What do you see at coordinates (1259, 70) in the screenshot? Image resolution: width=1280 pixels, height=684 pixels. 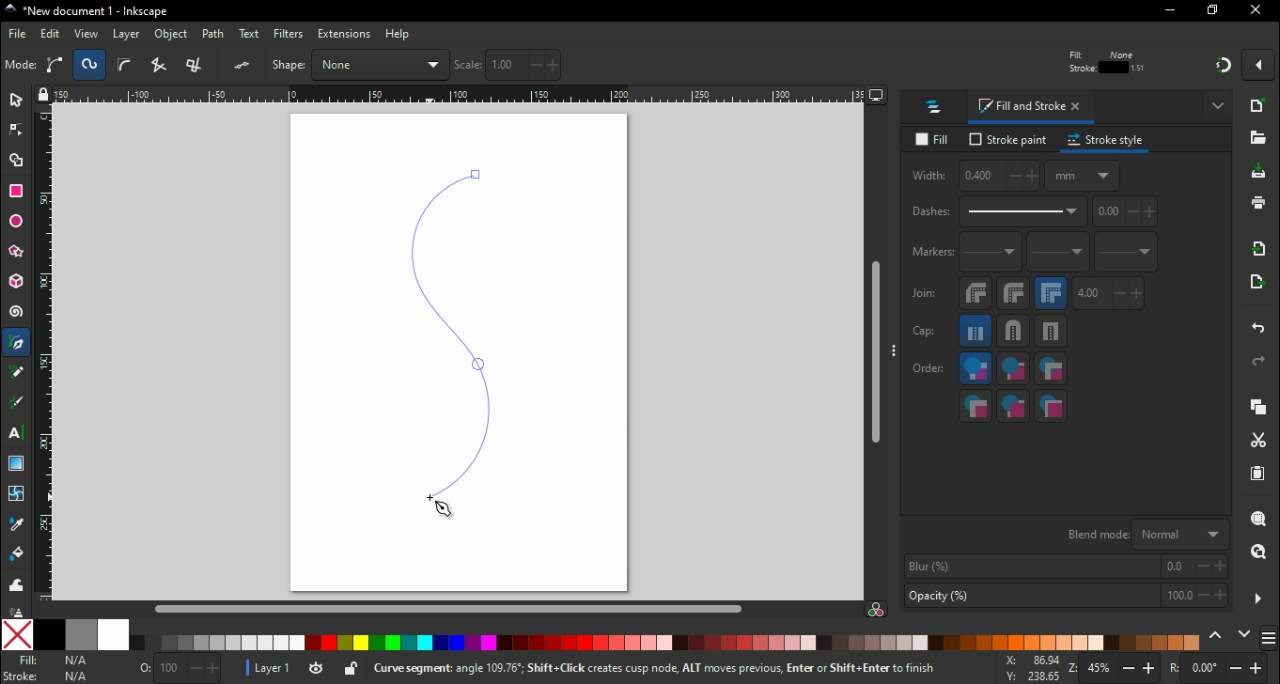 I see `snapping options` at bounding box center [1259, 70].